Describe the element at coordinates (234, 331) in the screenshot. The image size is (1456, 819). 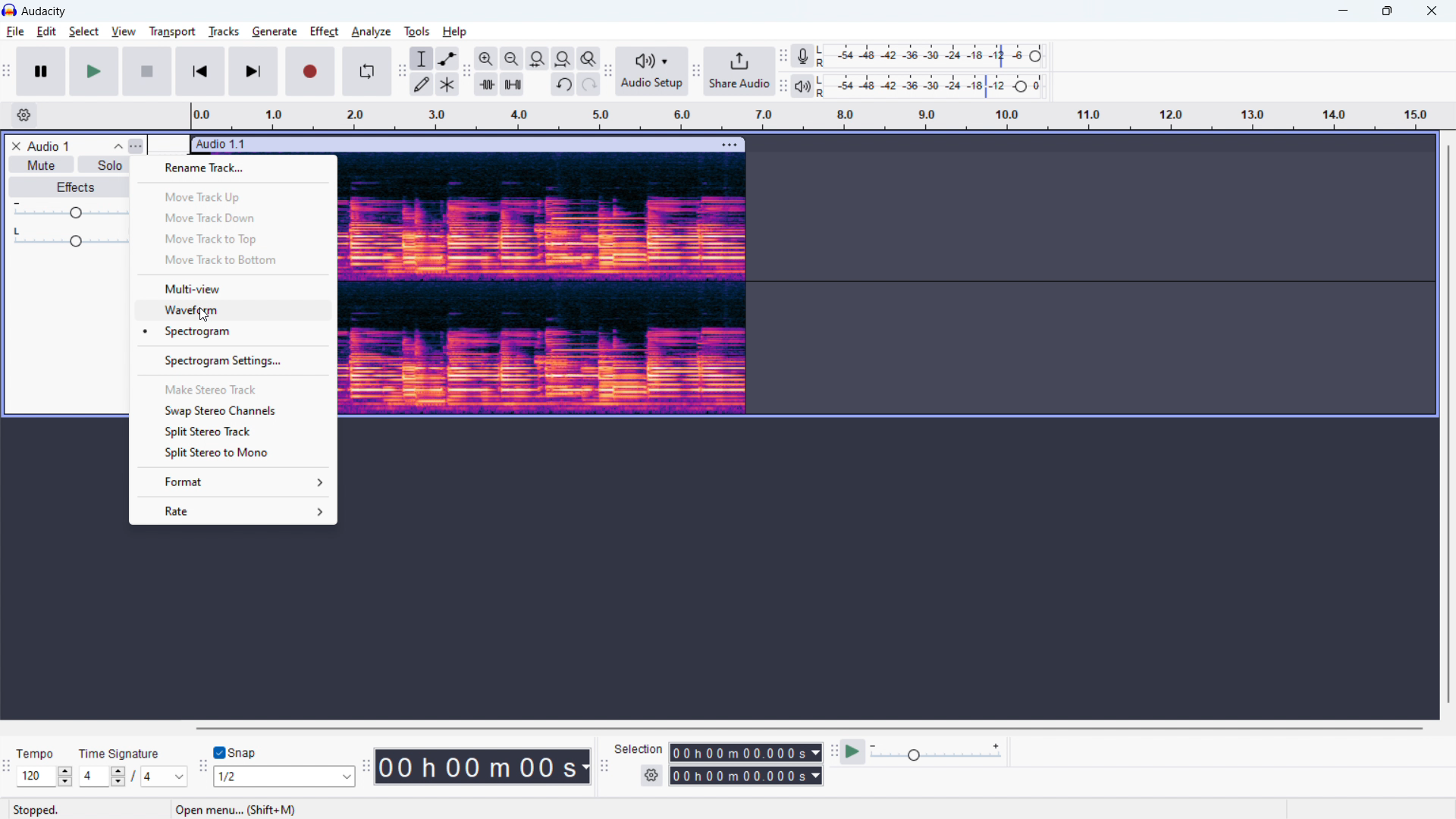
I see `spectogram` at that location.